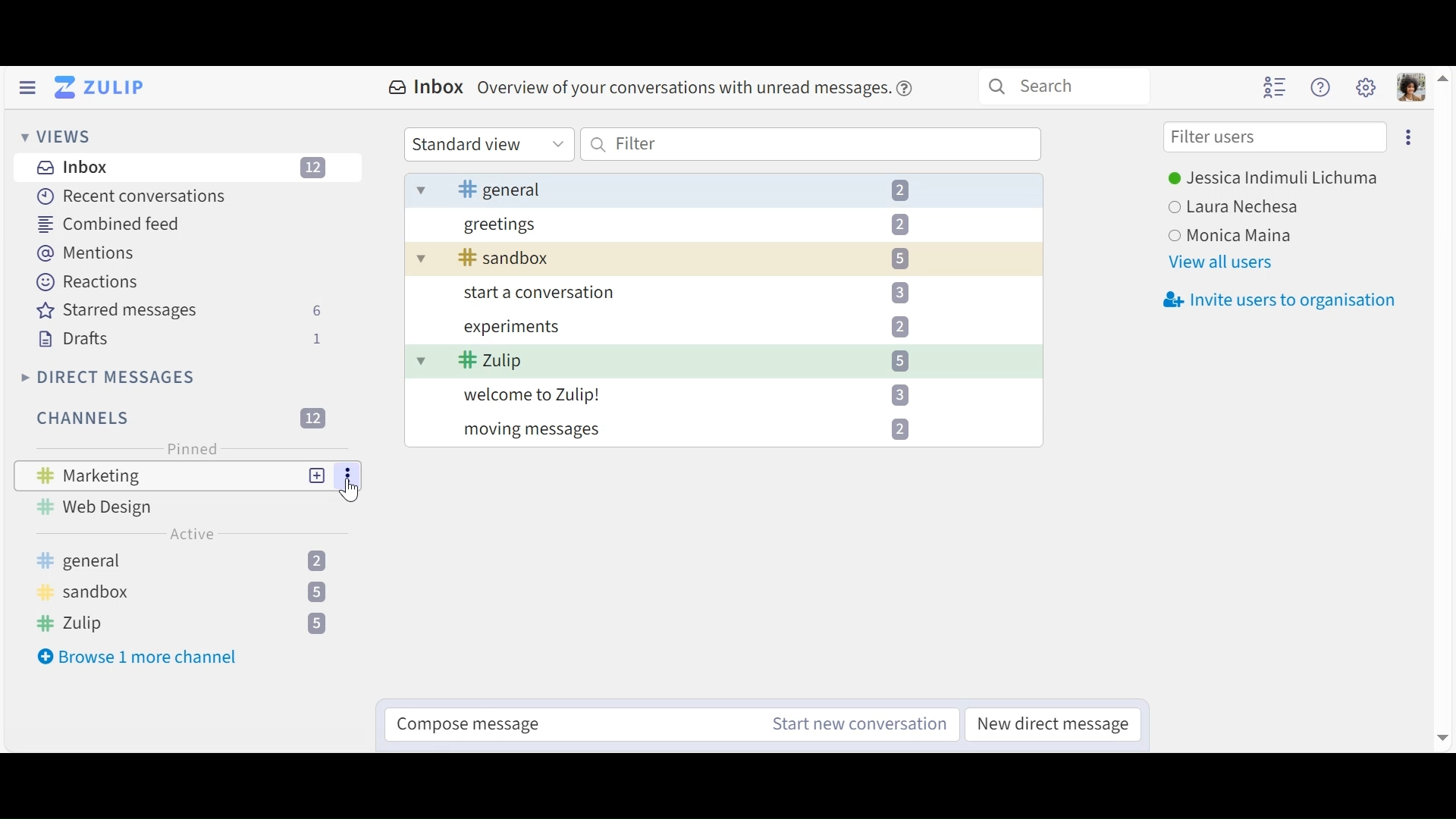  What do you see at coordinates (705, 328) in the screenshot?
I see `experiments` at bounding box center [705, 328].